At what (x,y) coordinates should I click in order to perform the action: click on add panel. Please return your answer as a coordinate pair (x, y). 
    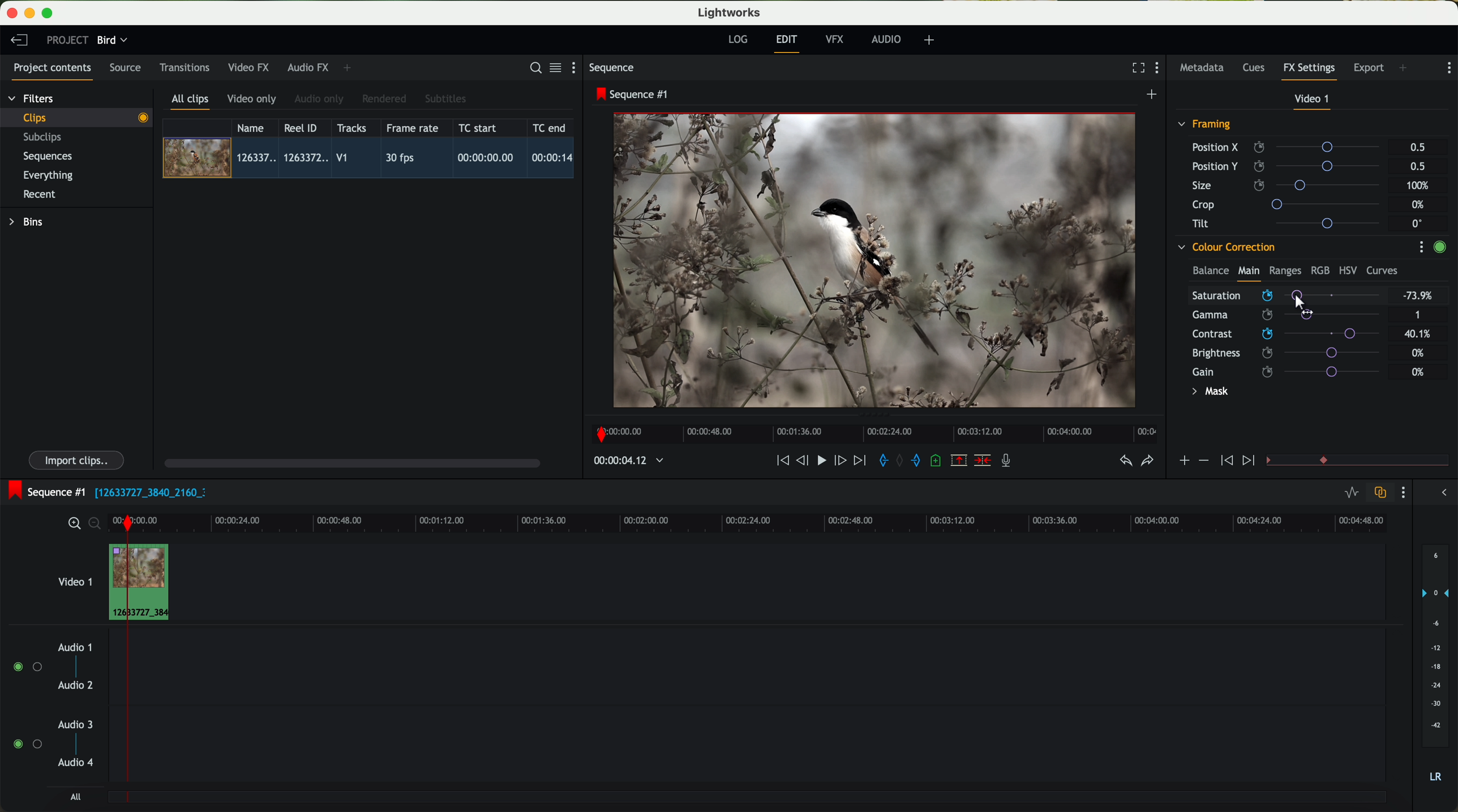
    Looking at the image, I should click on (1406, 69).